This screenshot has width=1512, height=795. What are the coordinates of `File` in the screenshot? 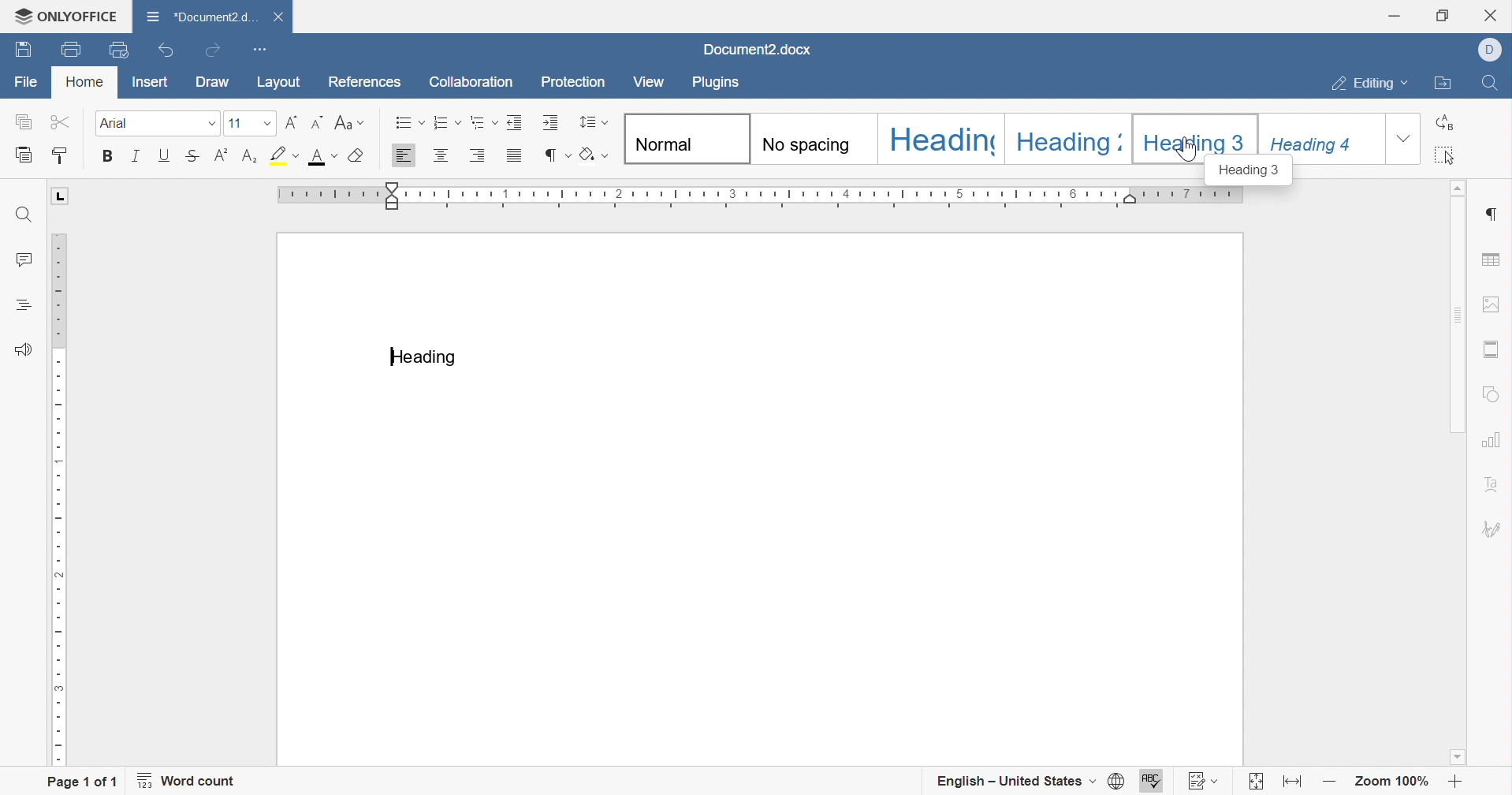 It's located at (28, 83).